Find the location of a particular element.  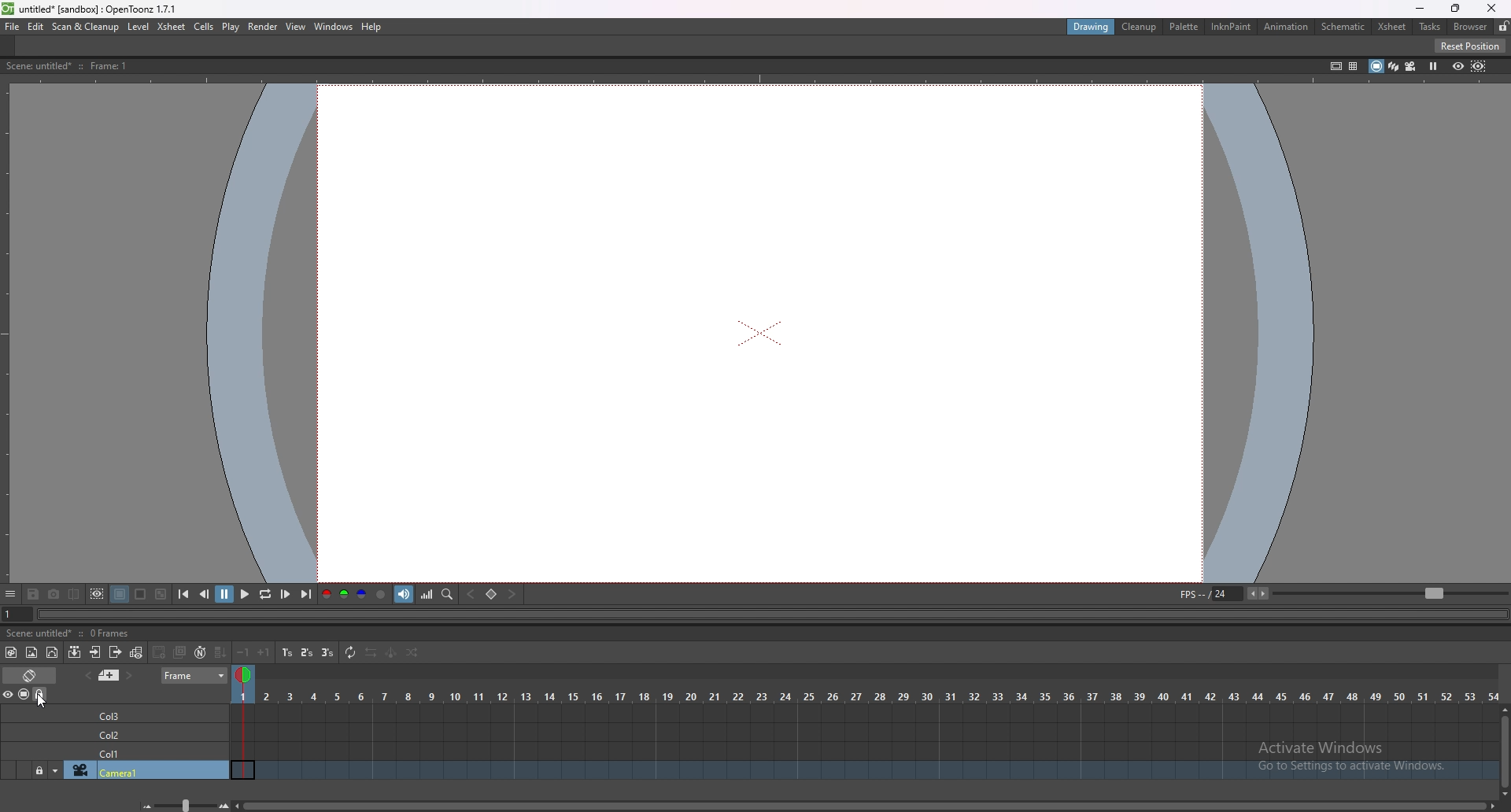

1 is located at coordinates (9, 615).